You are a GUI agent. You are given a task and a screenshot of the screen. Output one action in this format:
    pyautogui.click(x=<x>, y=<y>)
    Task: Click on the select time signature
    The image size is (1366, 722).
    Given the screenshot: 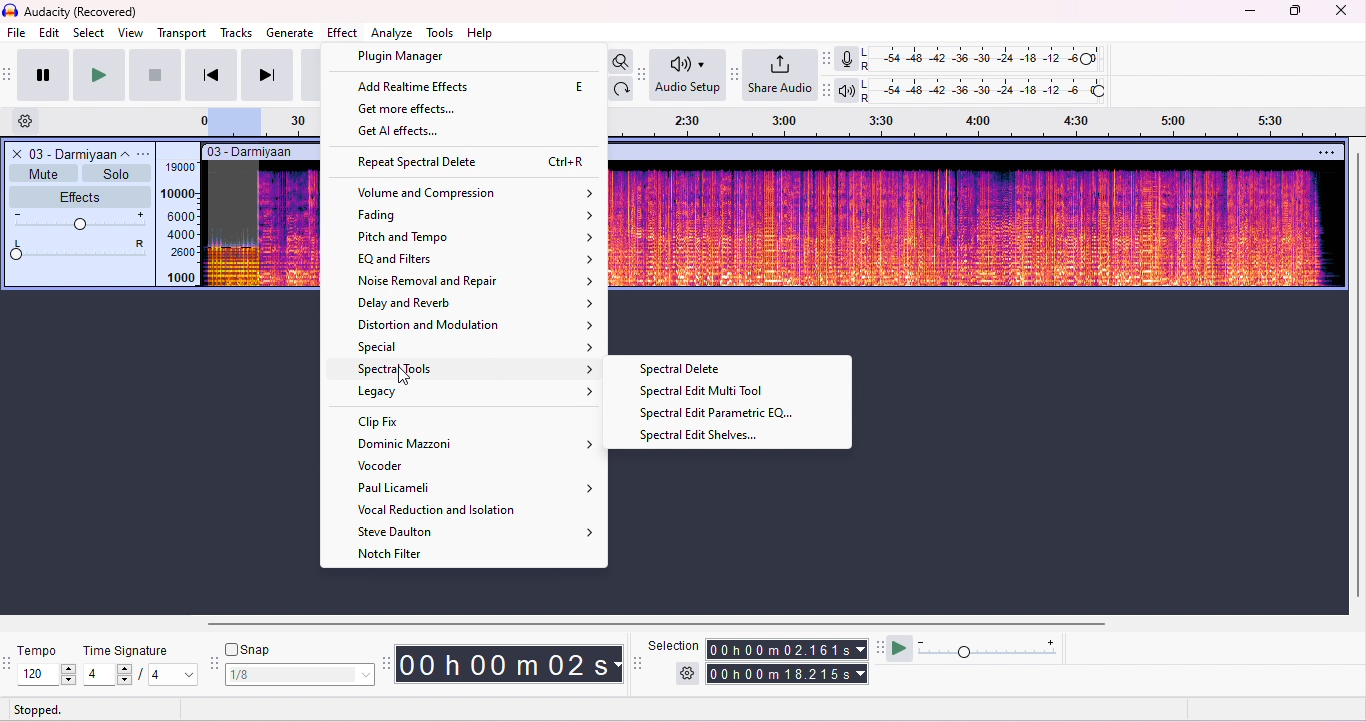 What is the action you would take?
    pyautogui.click(x=139, y=675)
    